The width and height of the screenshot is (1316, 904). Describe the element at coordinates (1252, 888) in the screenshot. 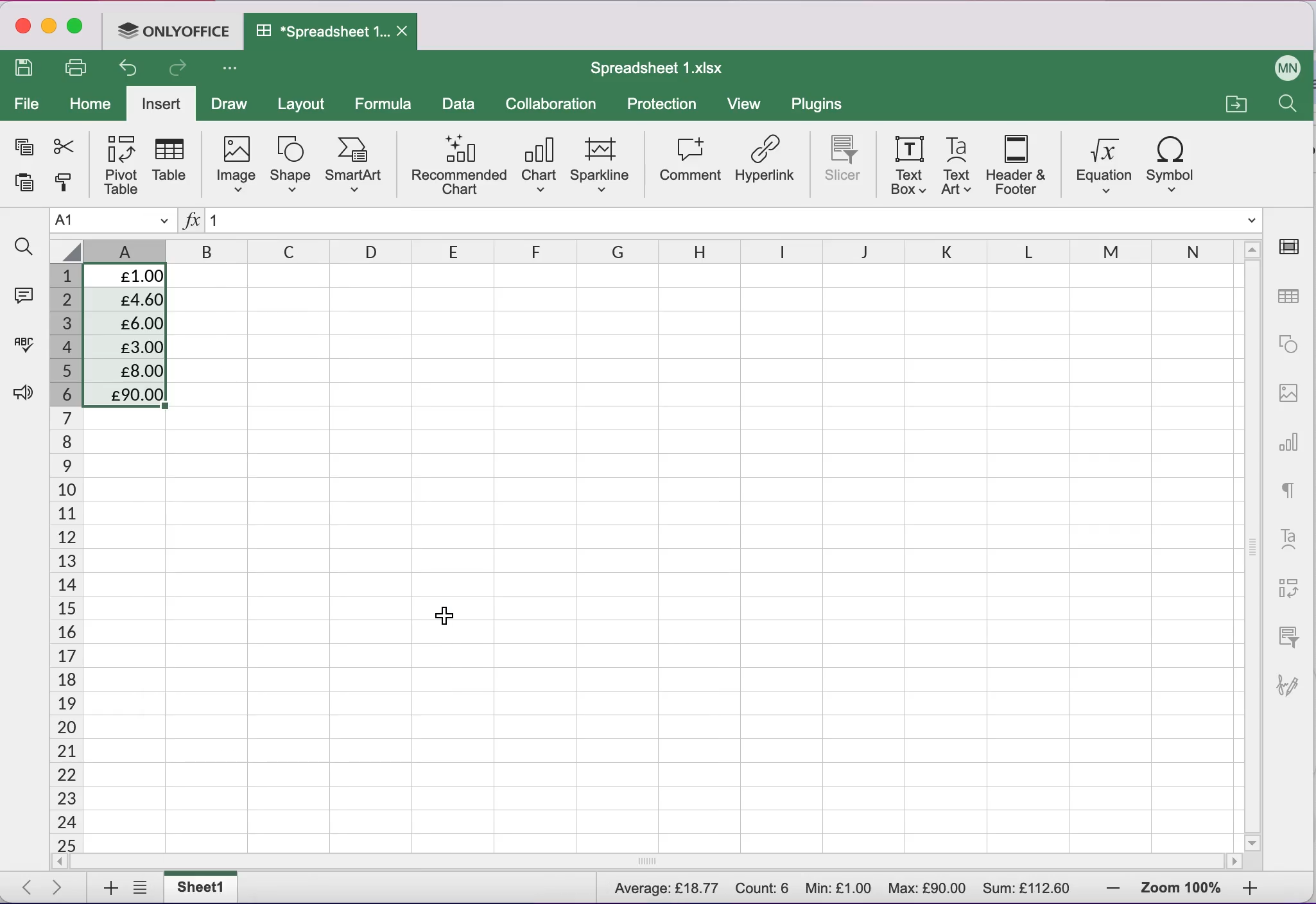

I see `zoom in` at that location.